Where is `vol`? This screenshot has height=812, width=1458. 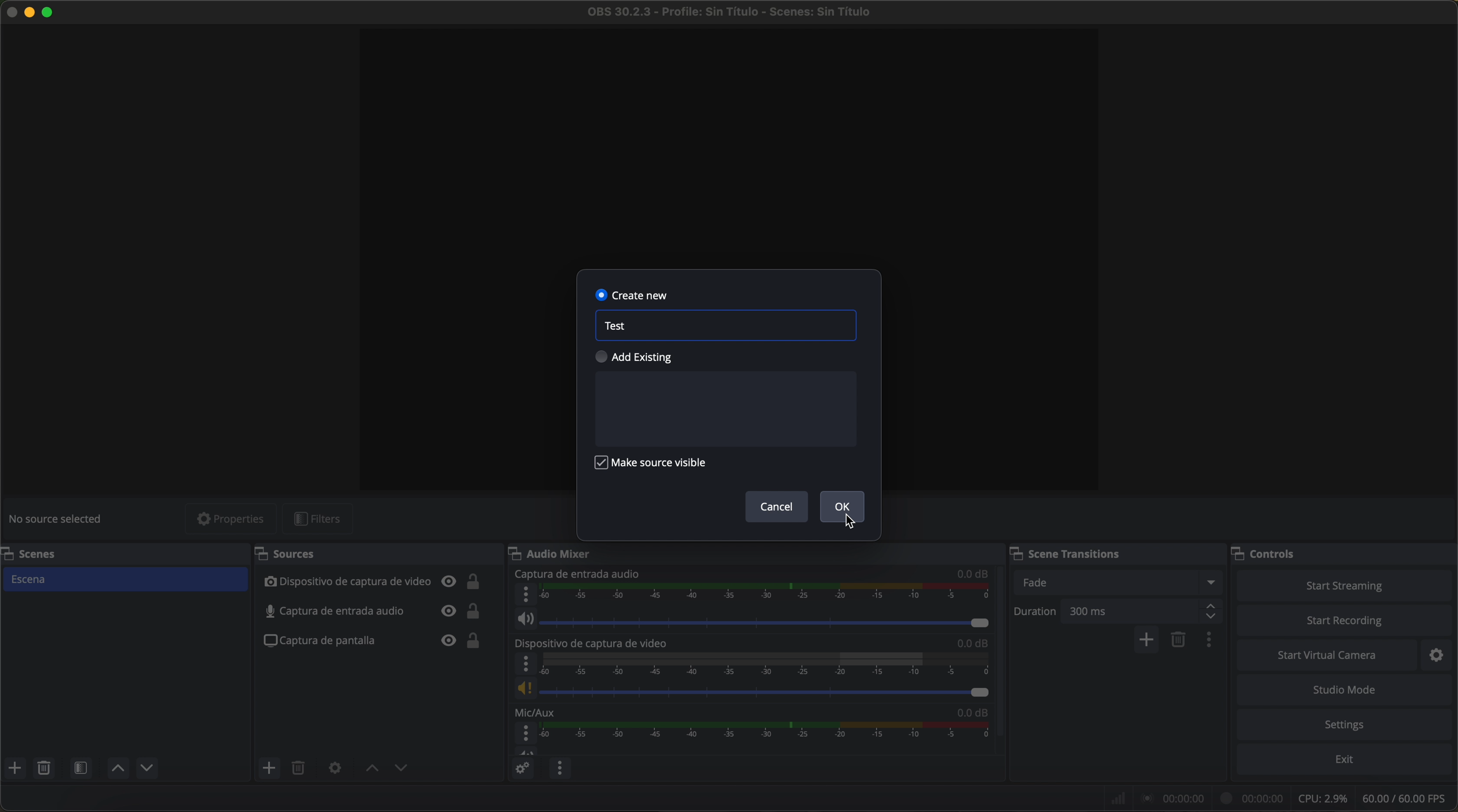
vol is located at coordinates (751, 689).